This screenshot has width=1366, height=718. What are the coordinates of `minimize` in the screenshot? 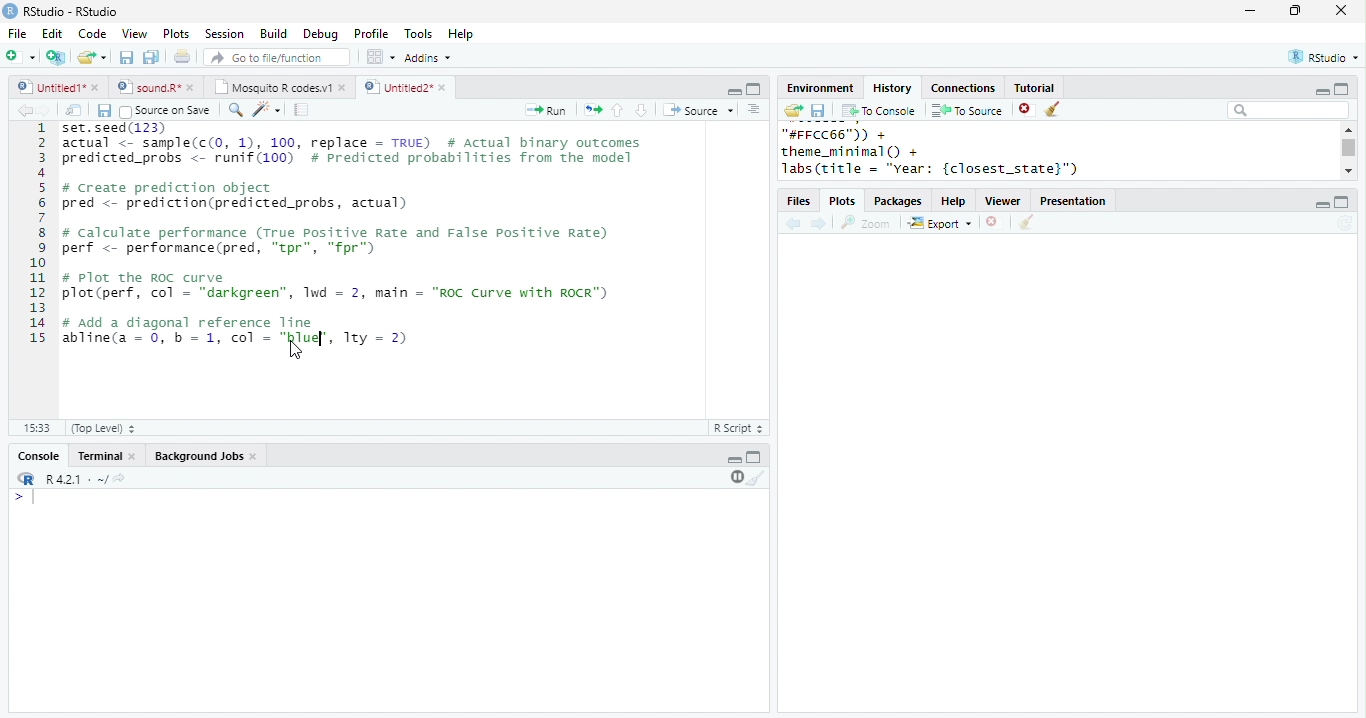 It's located at (734, 90).